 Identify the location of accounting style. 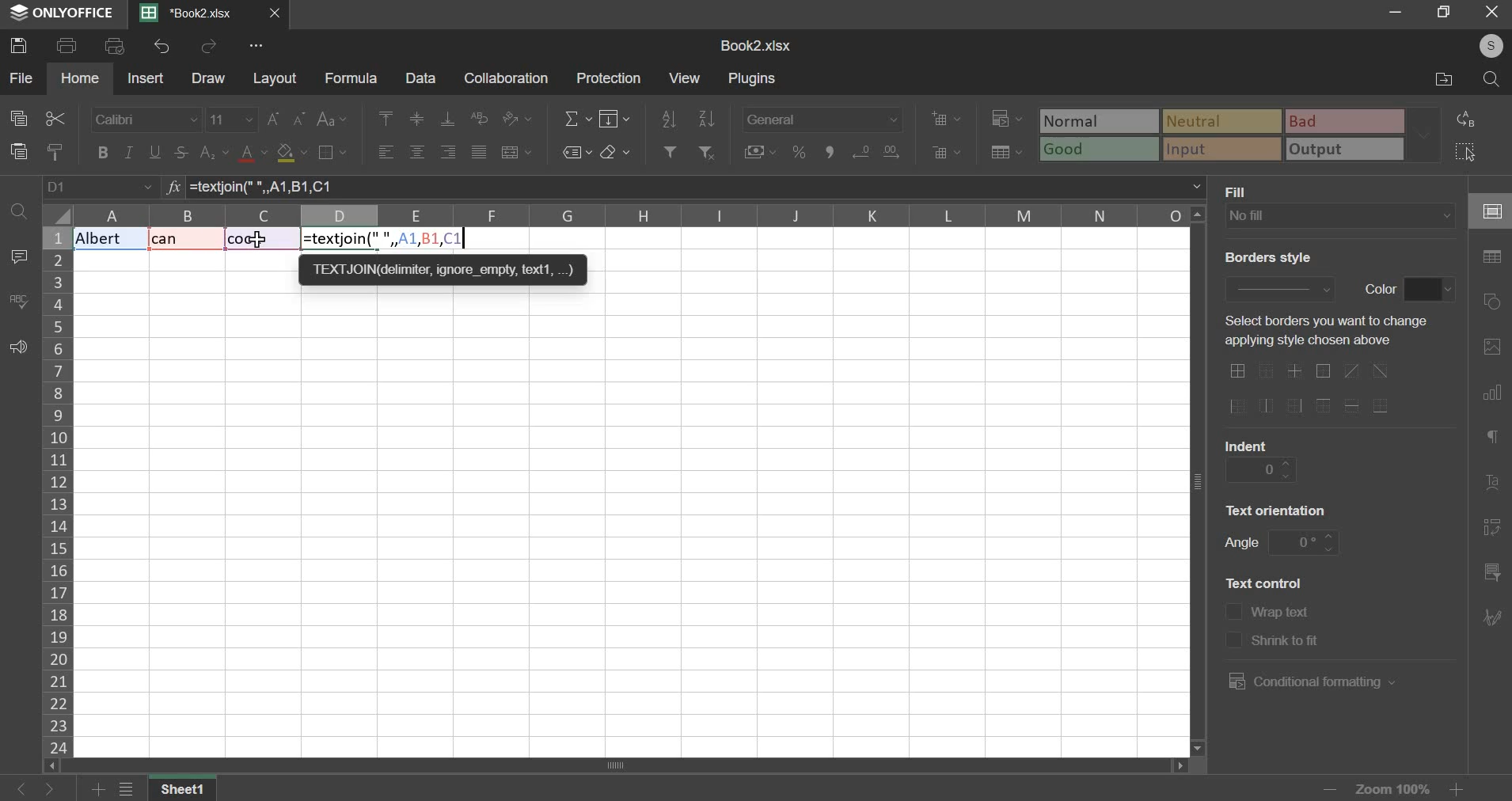
(761, 151).